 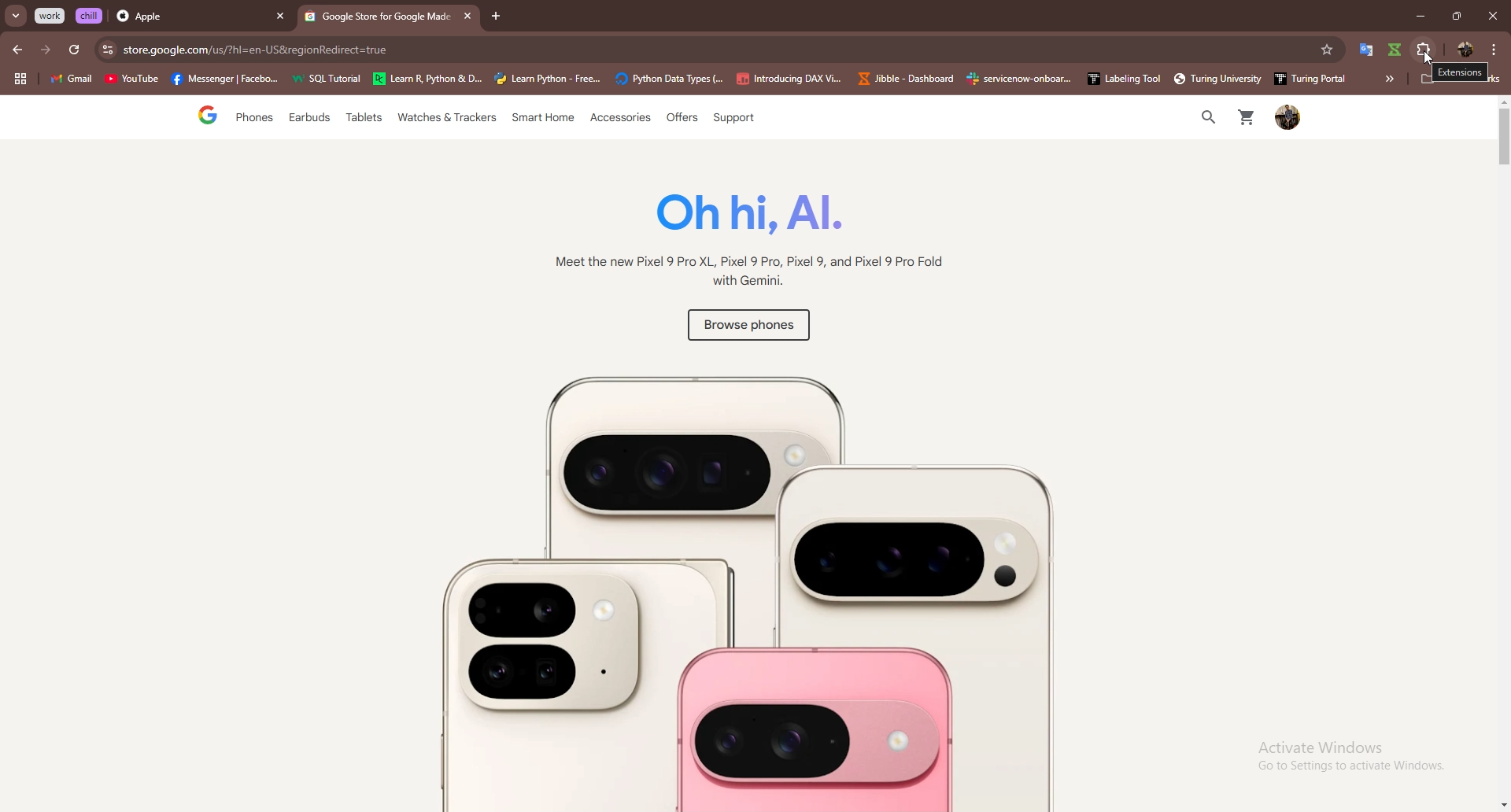 What do you see at coordinates (549, 79) in the screenshot?
I see `Learn  Python- Free` at bounding box center [549, 79].